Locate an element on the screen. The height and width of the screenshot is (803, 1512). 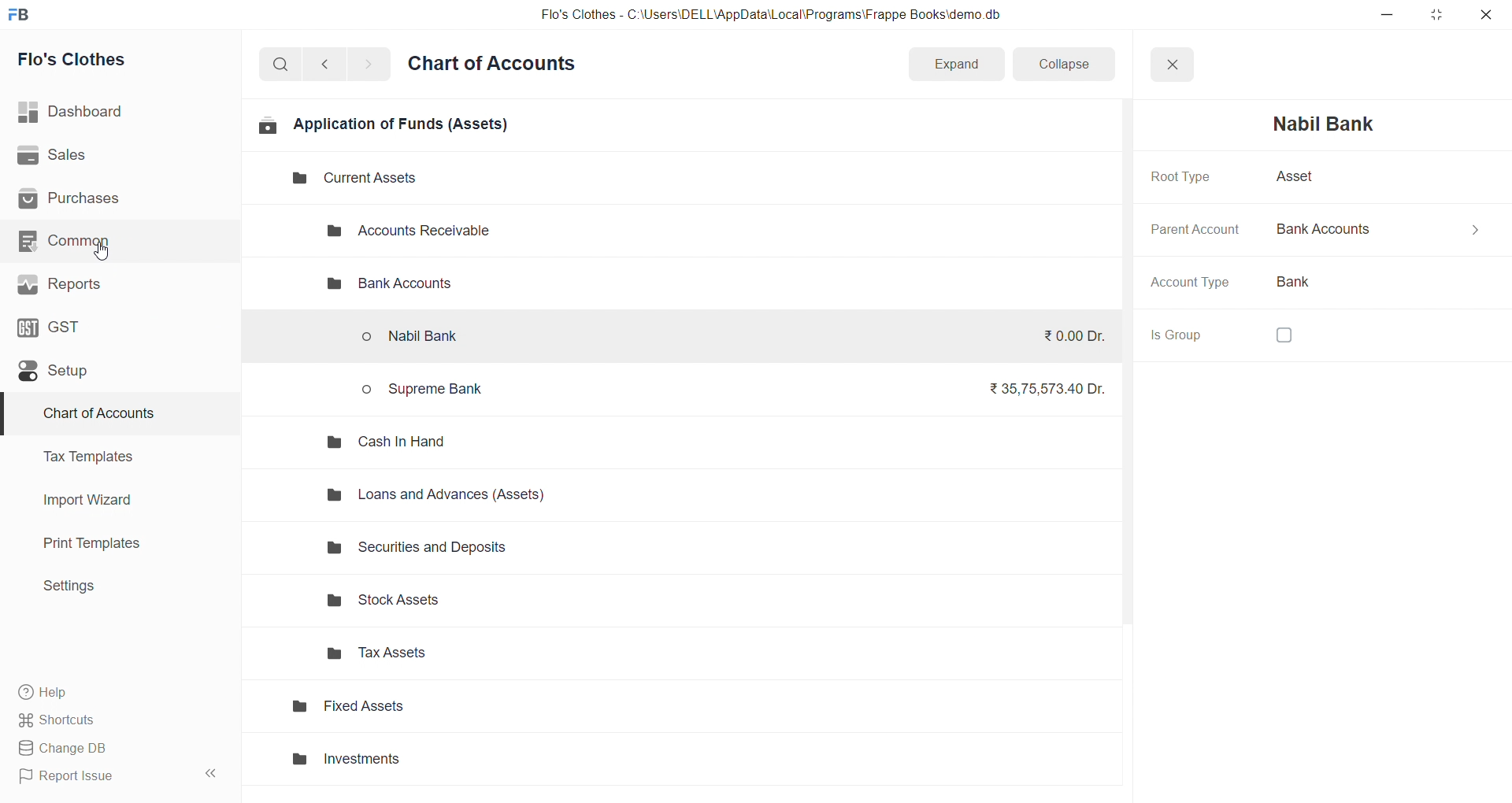
search is located at coordinates (283, 63).